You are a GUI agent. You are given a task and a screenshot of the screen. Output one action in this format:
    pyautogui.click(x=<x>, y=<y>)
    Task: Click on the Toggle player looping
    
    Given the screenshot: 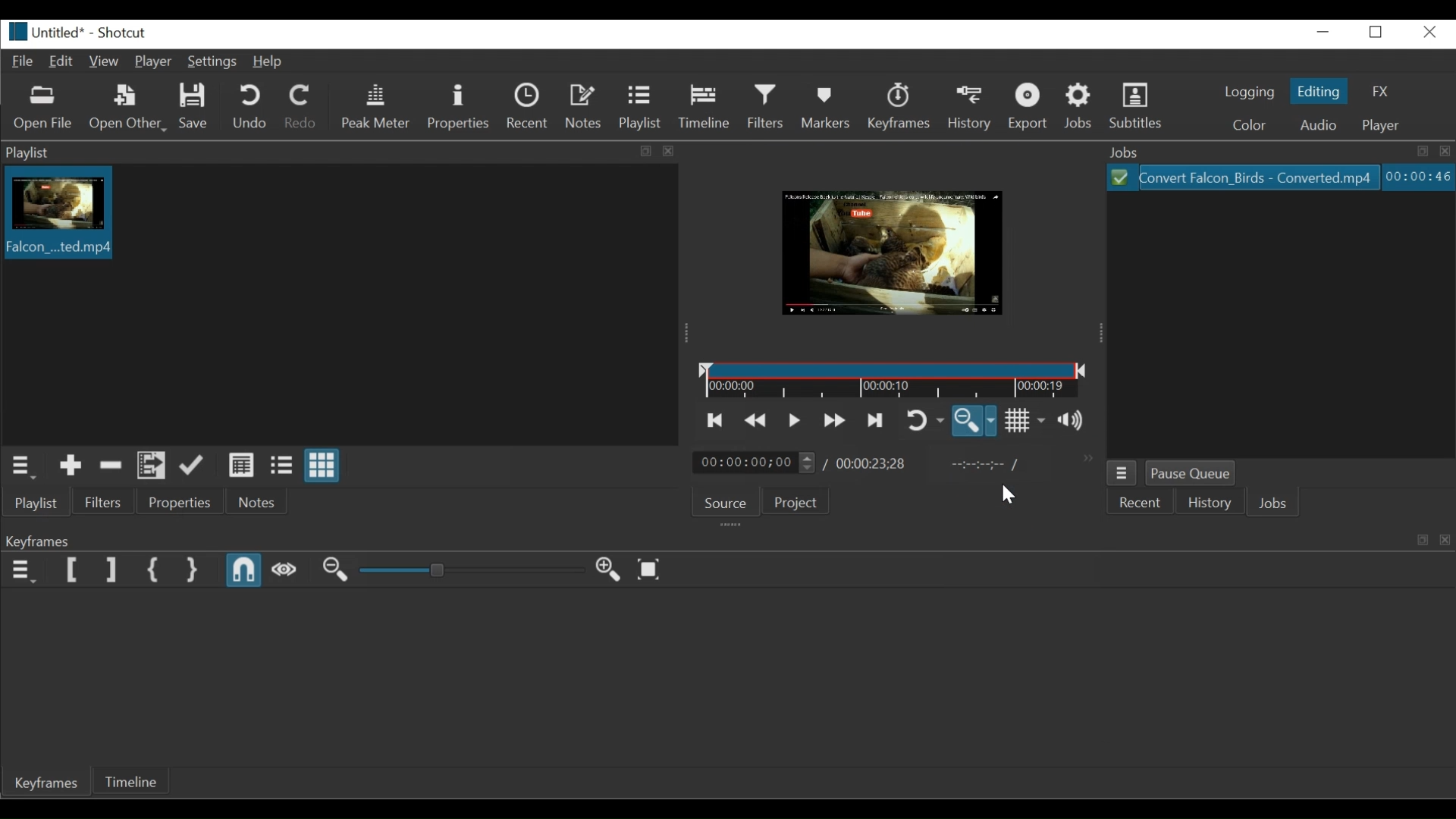 What is the action you would take?
    pyautogui.click(x=923, y=421)
    